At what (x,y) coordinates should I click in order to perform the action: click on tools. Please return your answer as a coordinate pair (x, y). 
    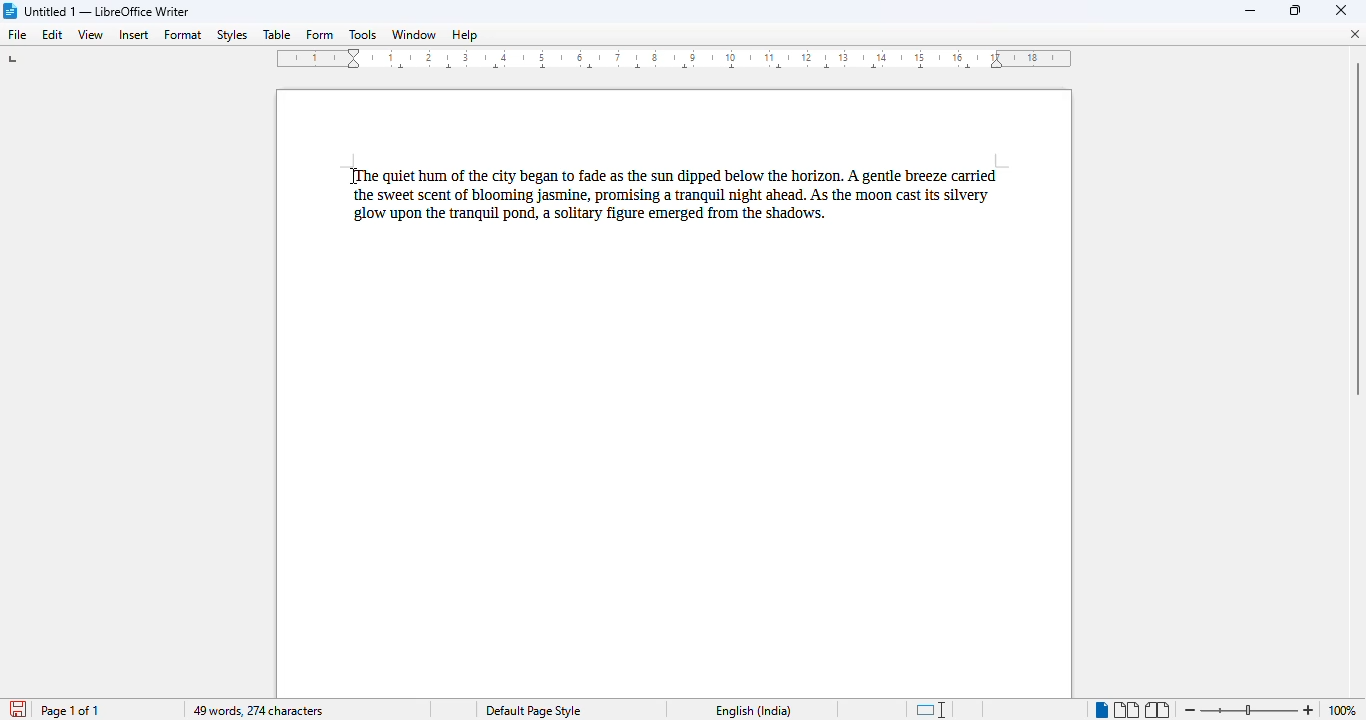
    Looking at the image, I should click on (363, 34).